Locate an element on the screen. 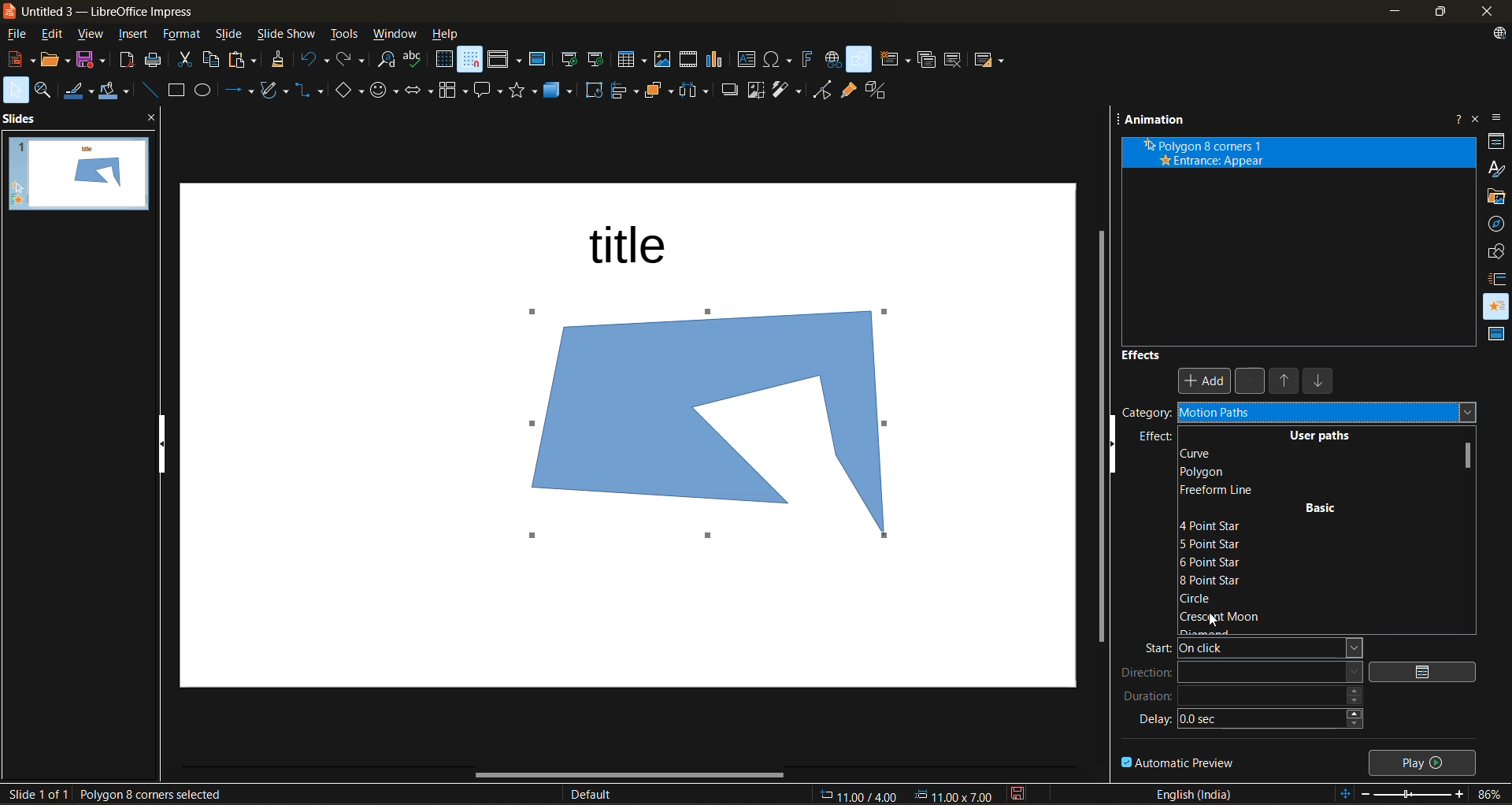  start from first slide is located at coordinates (567, 59).